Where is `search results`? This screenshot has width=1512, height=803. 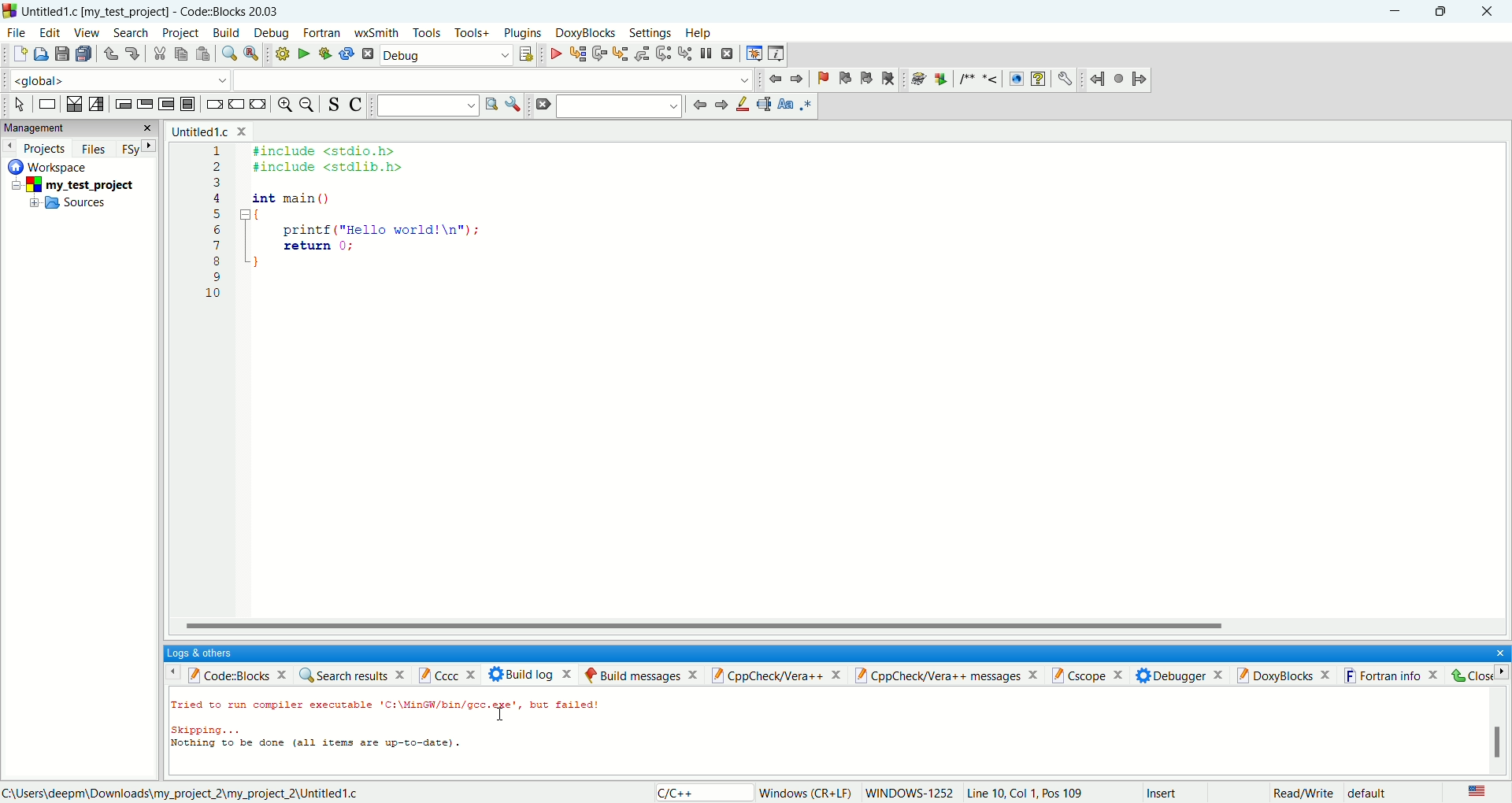
search results is located at coordinates (352, 674).